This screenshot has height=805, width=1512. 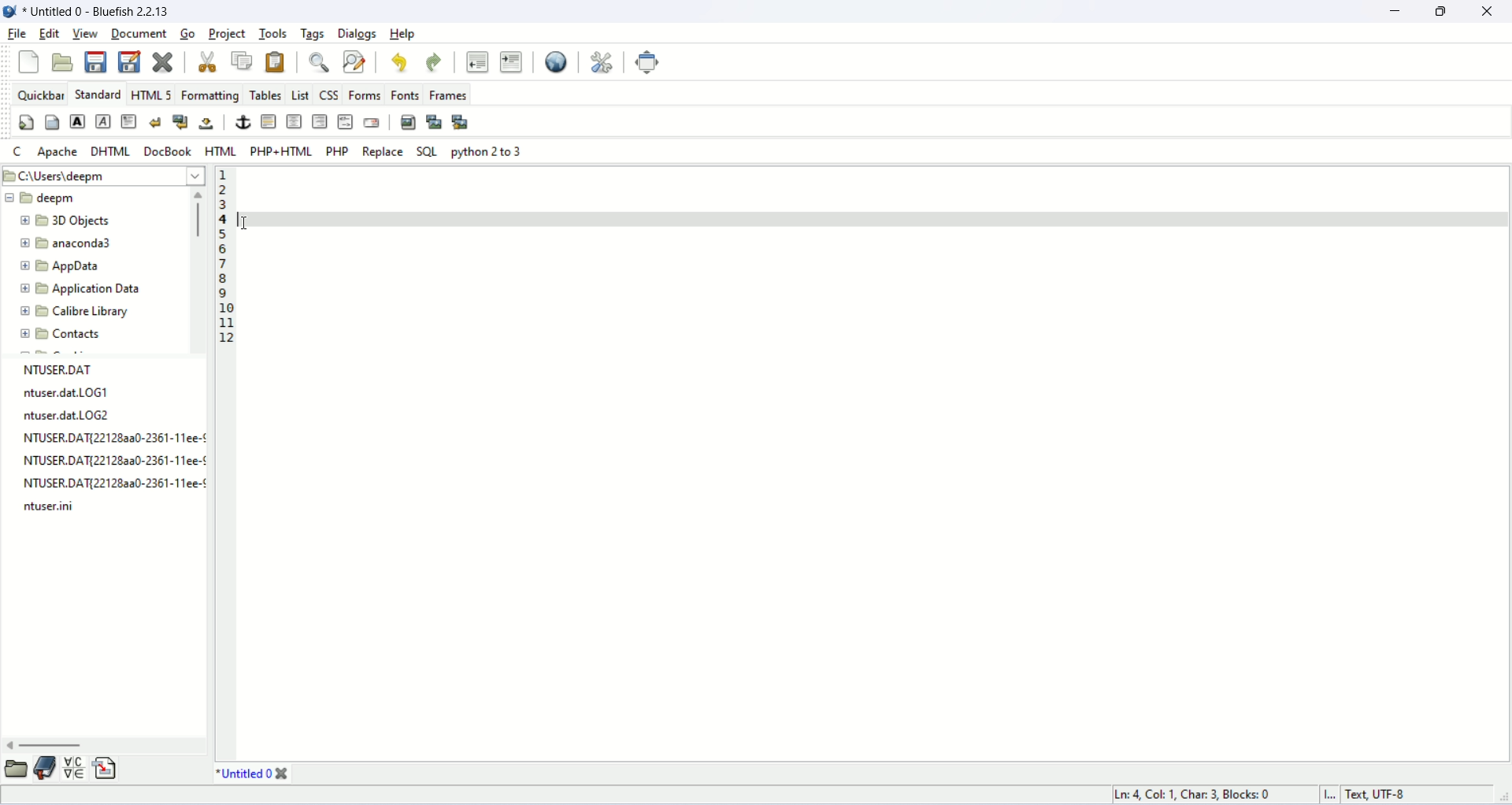 I want to click on show find bar, so click(x=322, y=62).